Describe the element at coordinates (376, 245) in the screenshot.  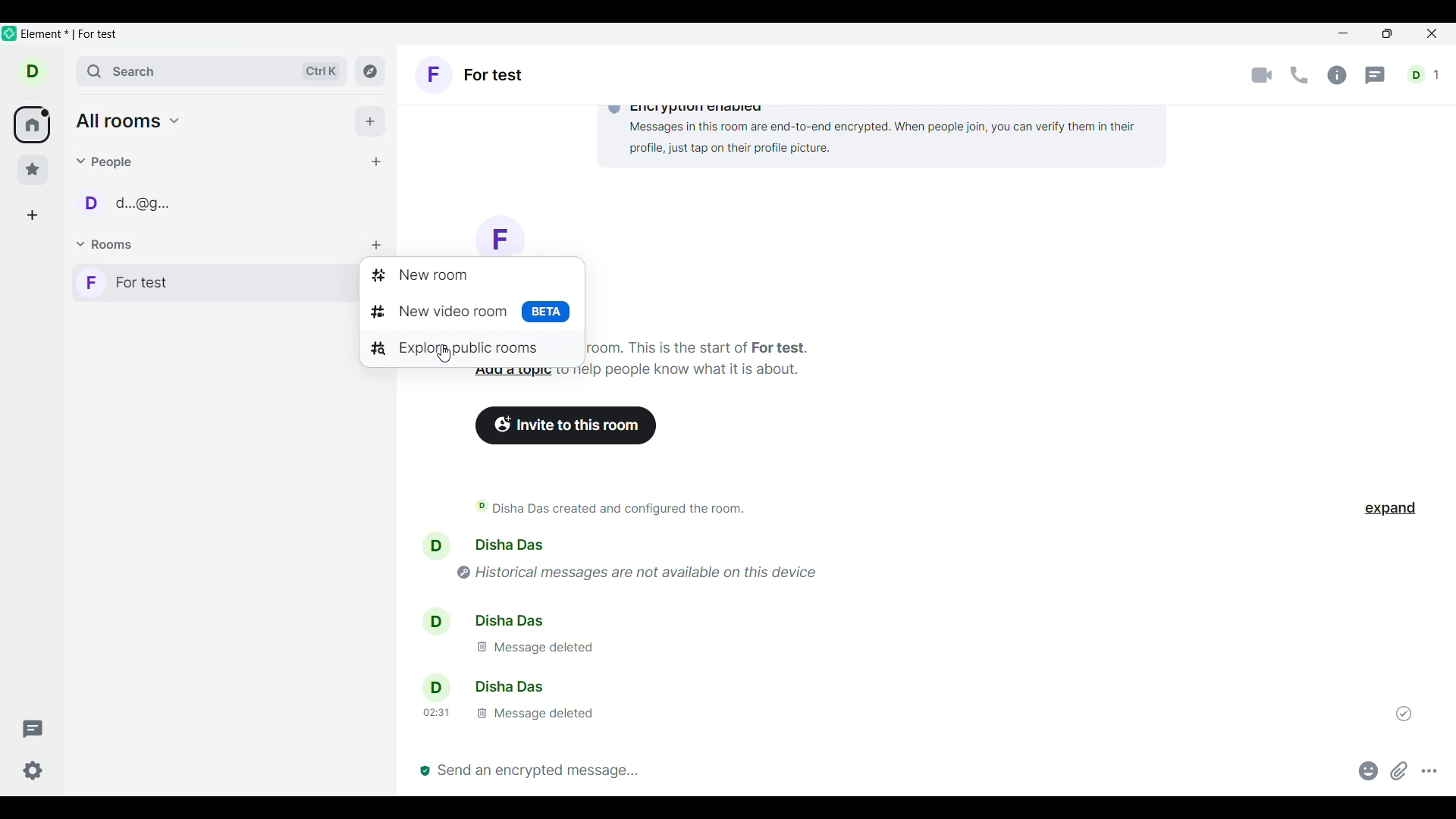
I see `Add room` at that location.